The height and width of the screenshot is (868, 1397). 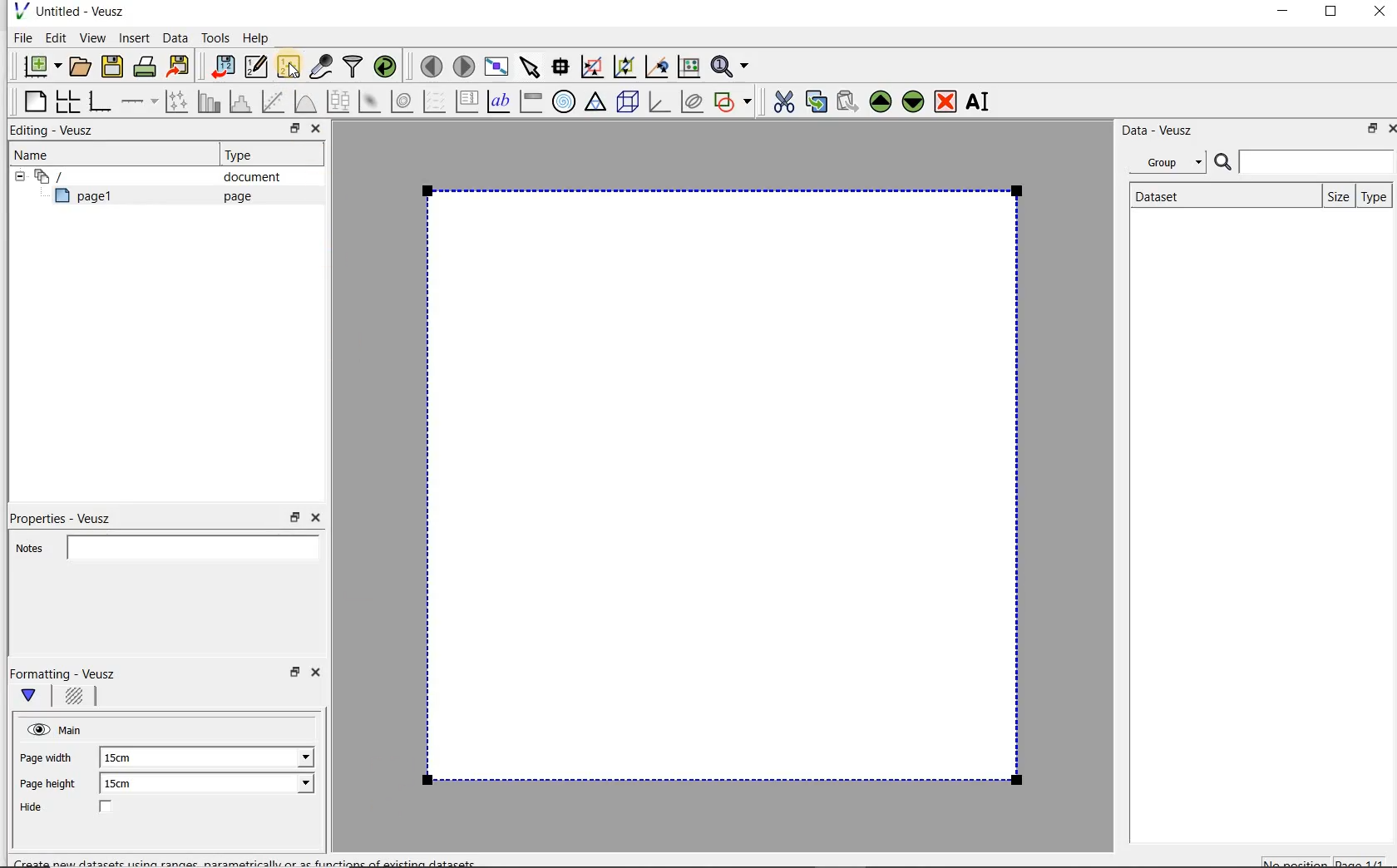 What do you see at coordinates (69, 515) in the screenshot?
I see `Properties - Veusz` at bounding box center [69, 515].